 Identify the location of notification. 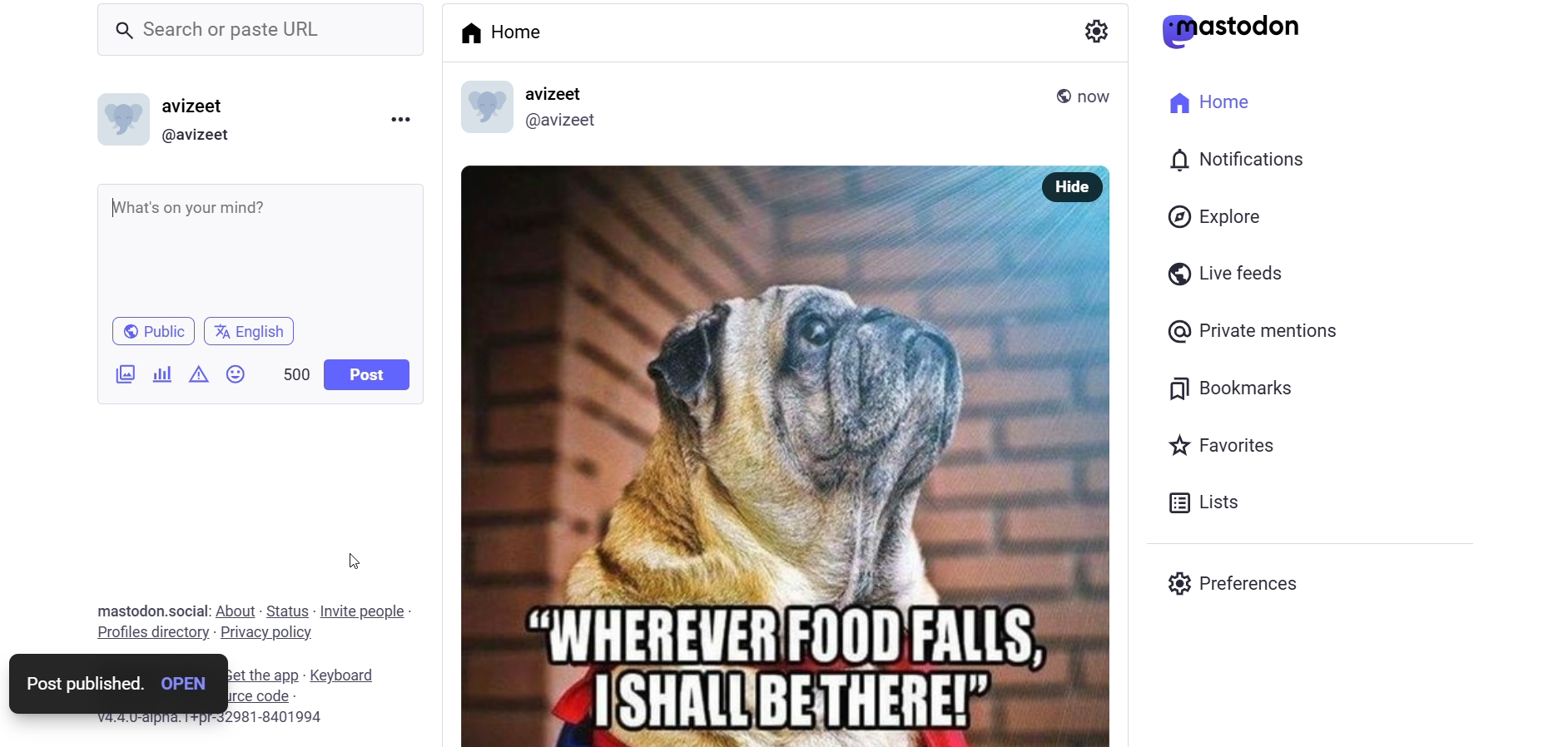
(1238, 160).